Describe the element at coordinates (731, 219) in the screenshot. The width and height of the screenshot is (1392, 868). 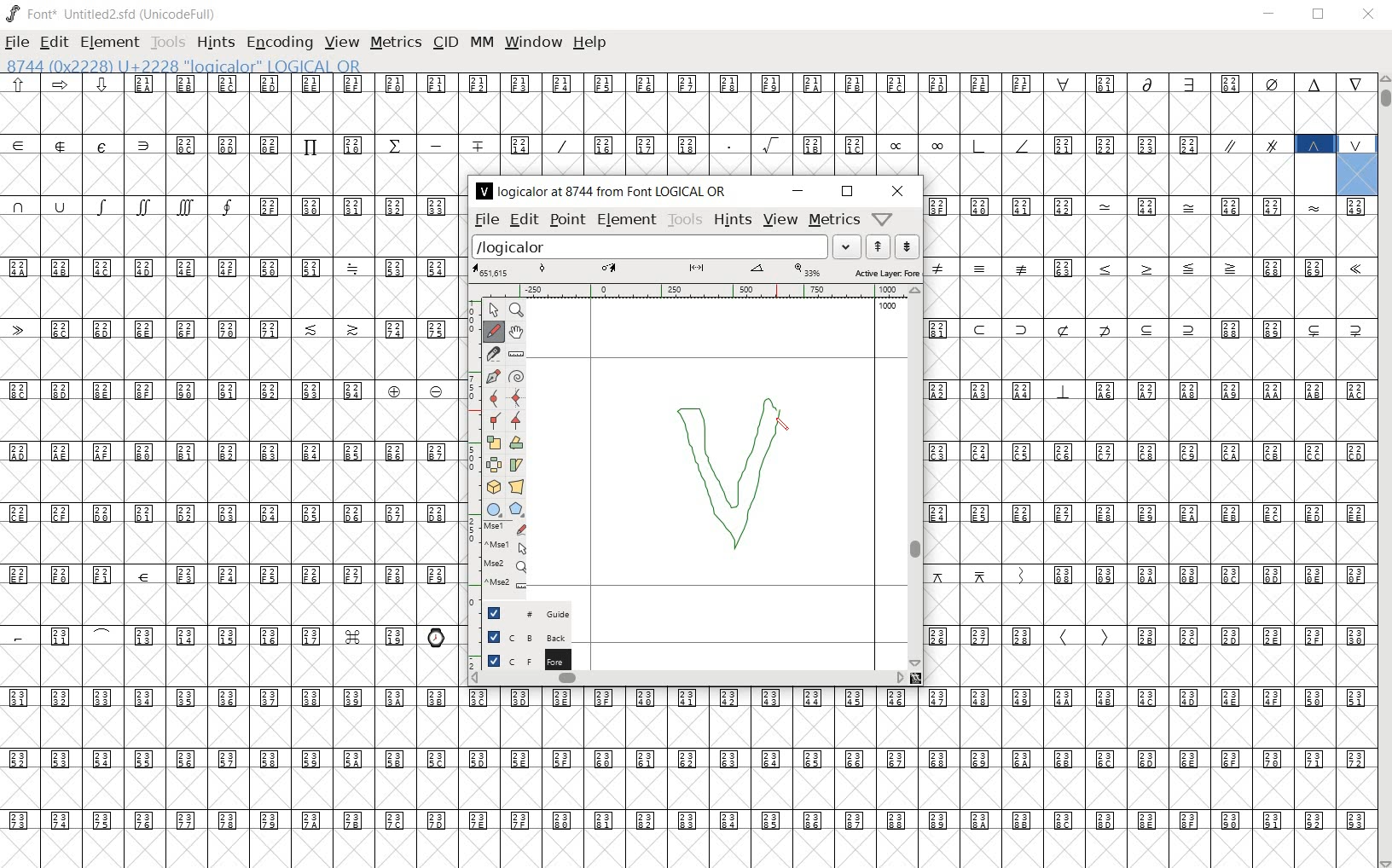
I see `hints` at that location.